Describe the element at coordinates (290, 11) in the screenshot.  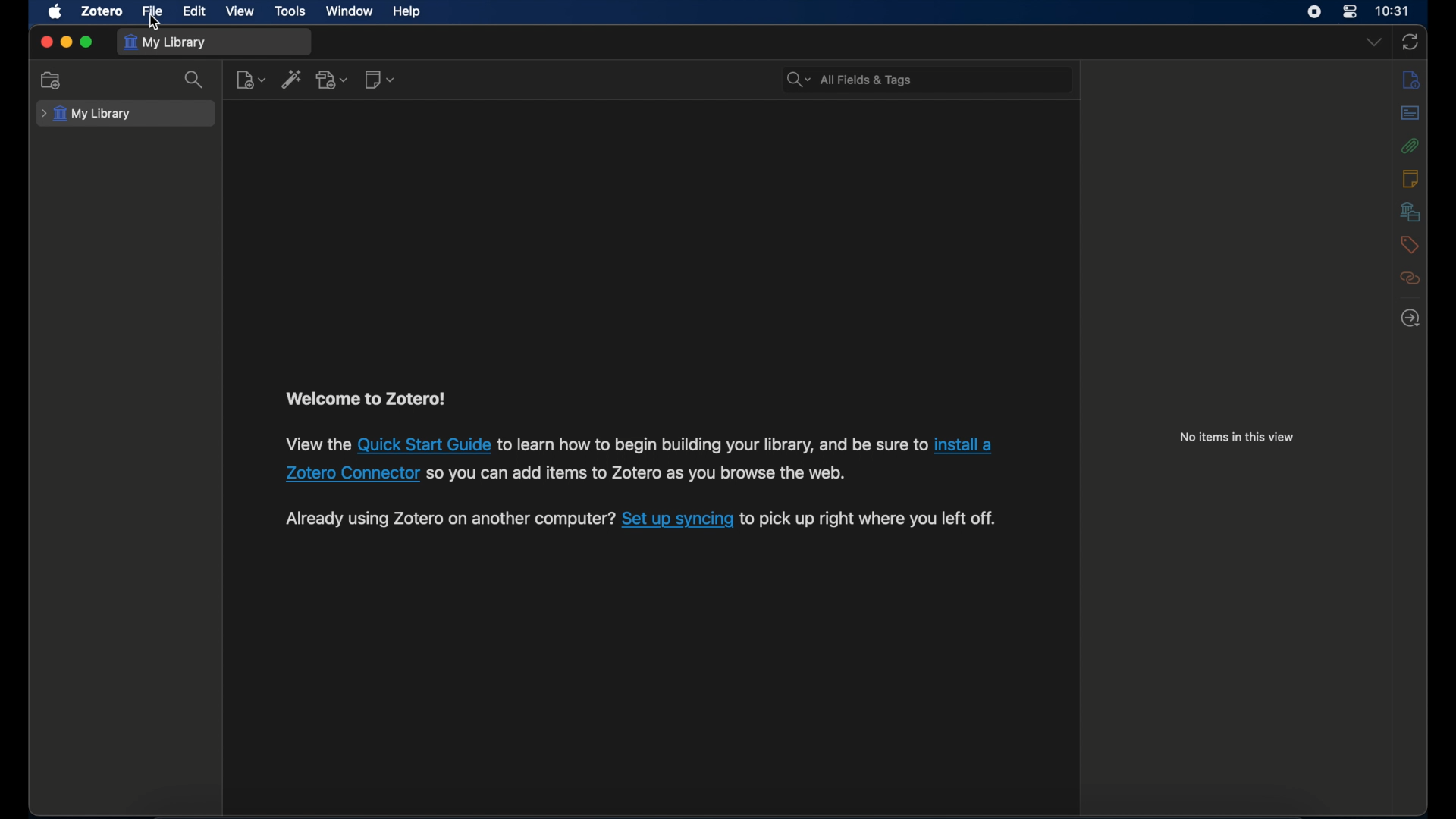
I see `tools` at that location.